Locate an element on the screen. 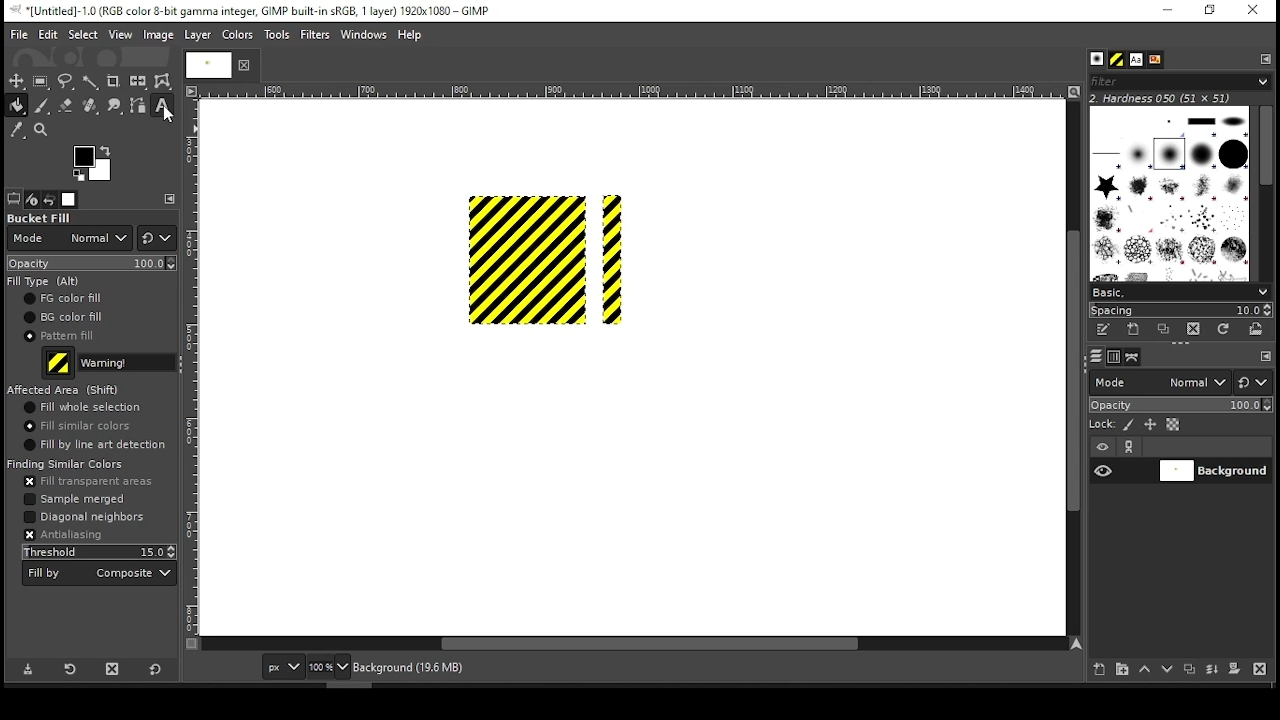  selection tool is located at coordinates (17, 81).